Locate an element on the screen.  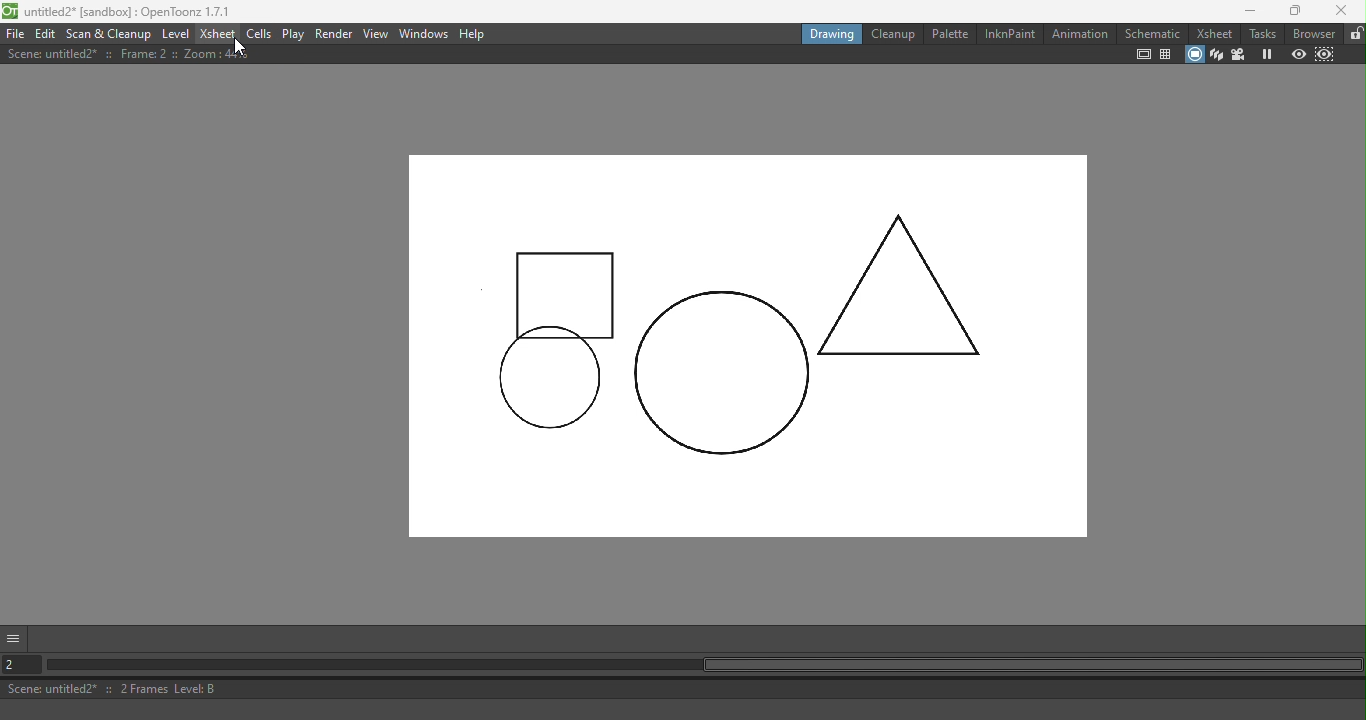
Camera view is located at coordinates (1238, 55).